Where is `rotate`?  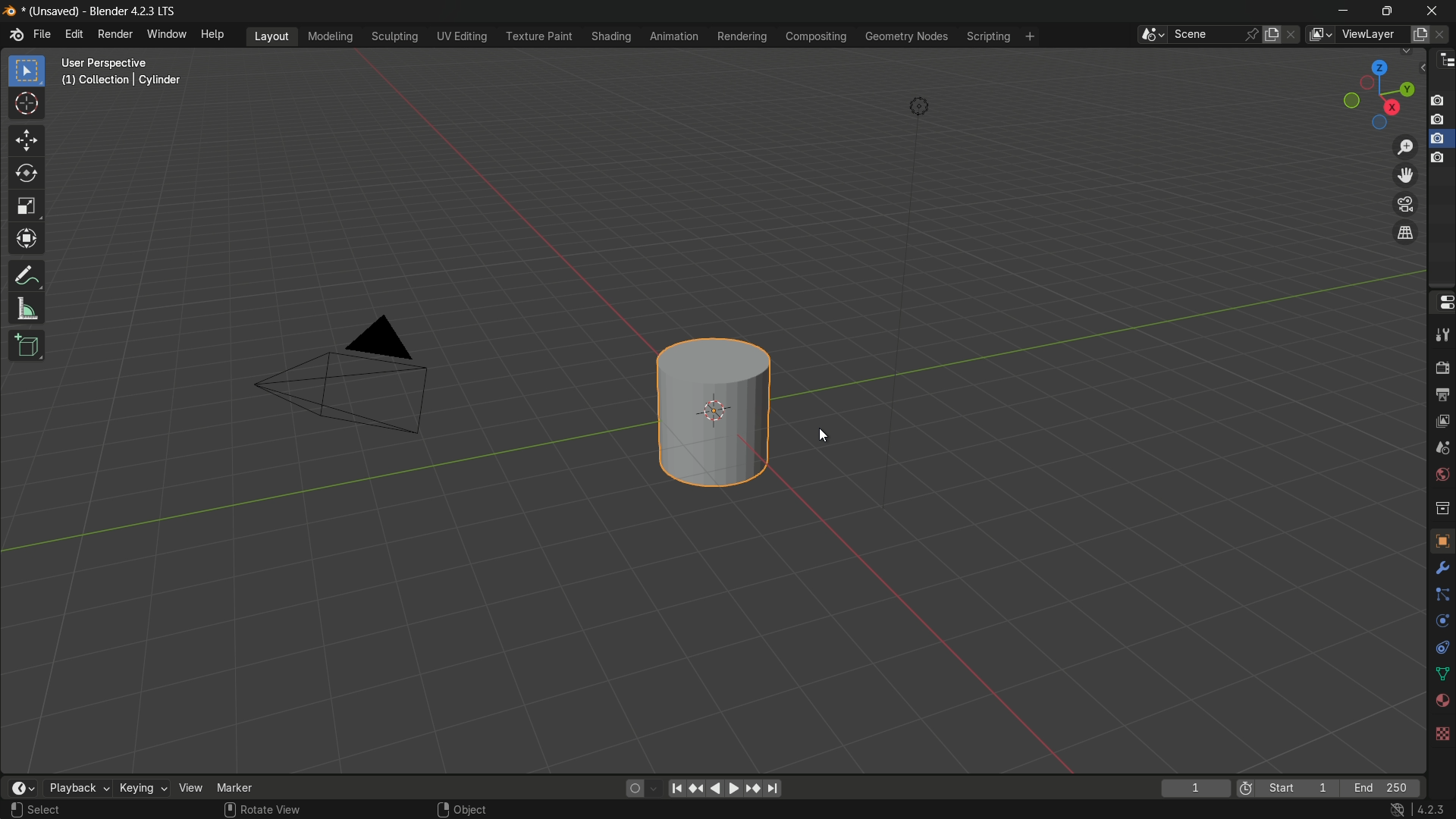
rotate is located at coordinates (27, 175).